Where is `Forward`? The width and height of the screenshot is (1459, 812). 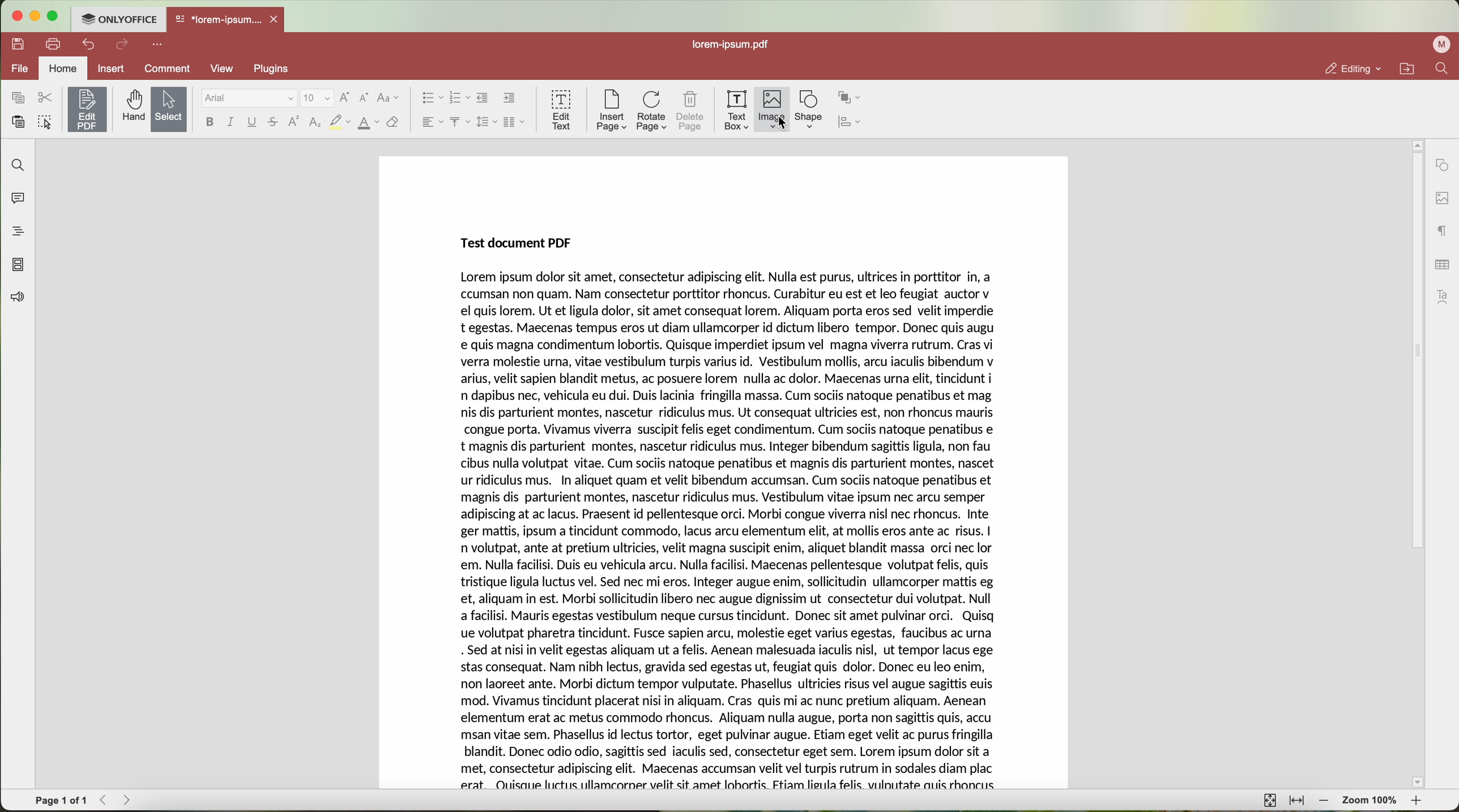 Forward is located at coordinates (131, 800).